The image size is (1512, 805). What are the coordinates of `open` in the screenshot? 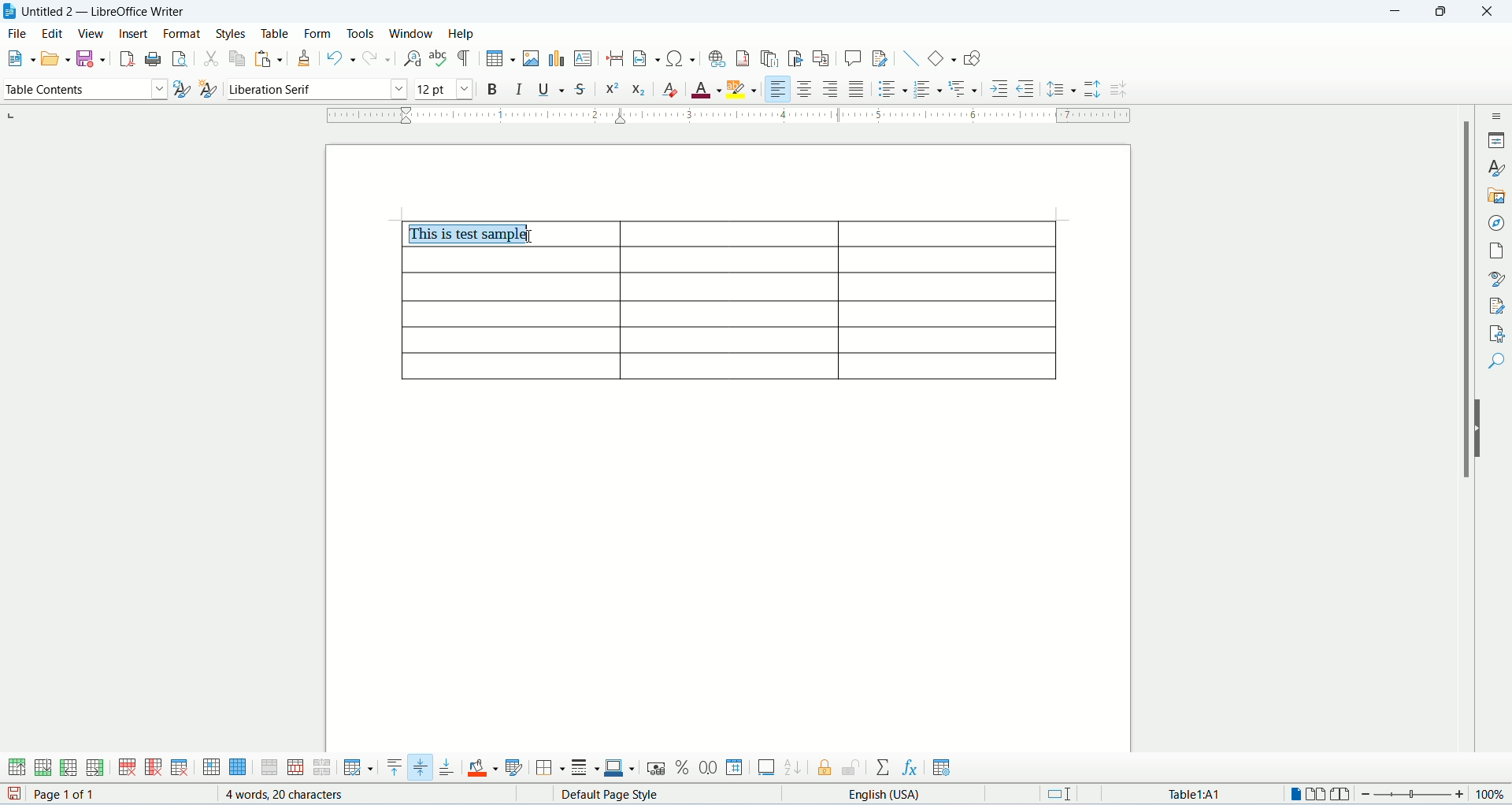 It's located at (56, 59).